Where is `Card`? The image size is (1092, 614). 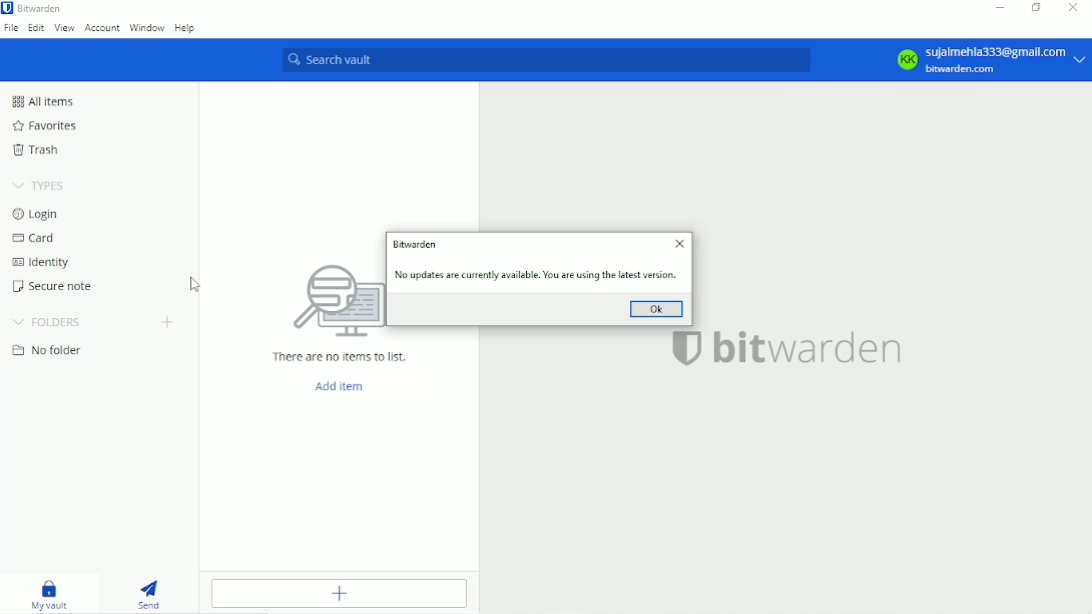 Card is located at coordinates (35, 237).